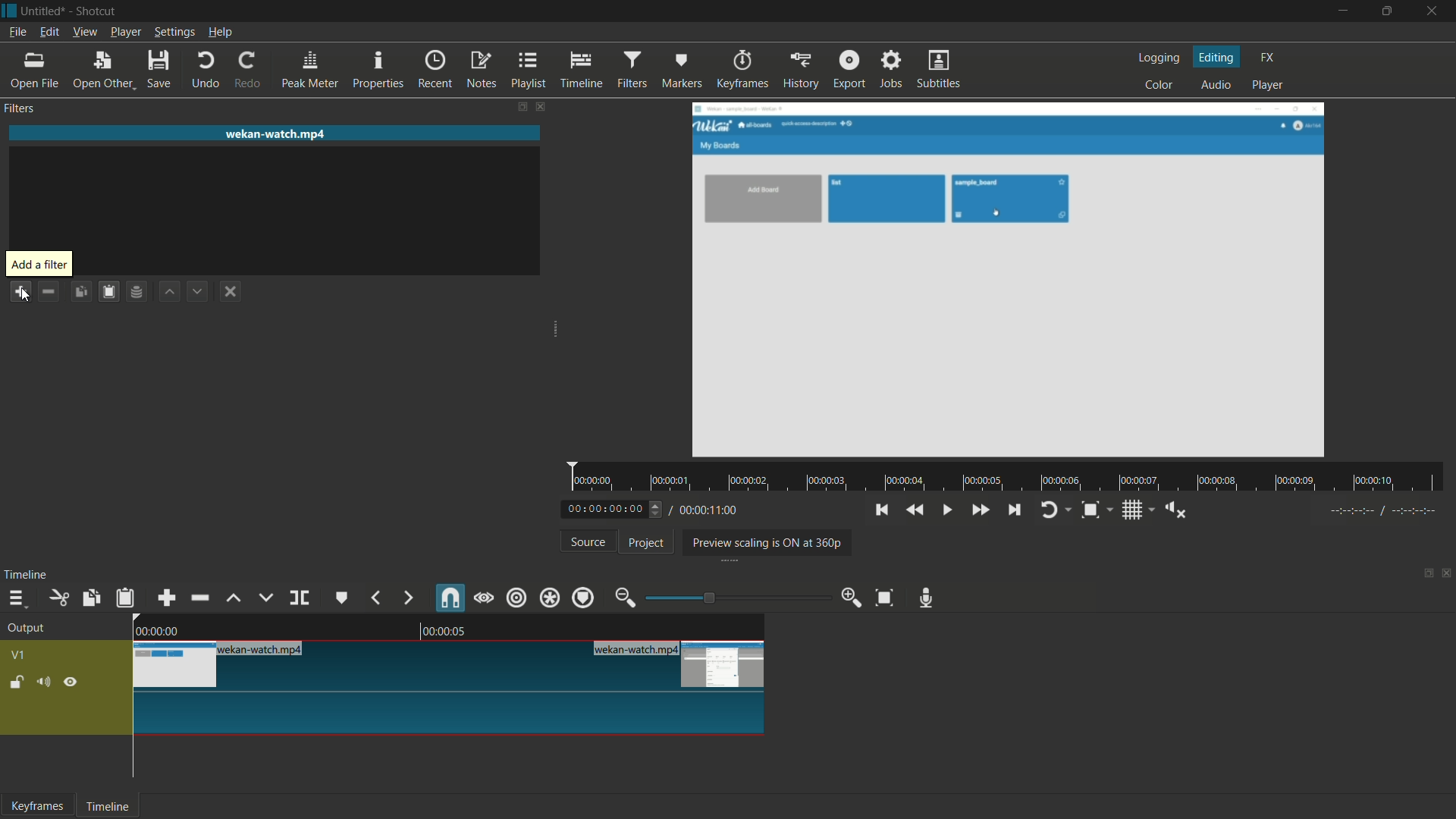 The width and height of the screenshot is (1456, 819). What do you see at coordinates (1435, 11) in the screenshot?
I see `close app` at bounding box center [1435, 11].